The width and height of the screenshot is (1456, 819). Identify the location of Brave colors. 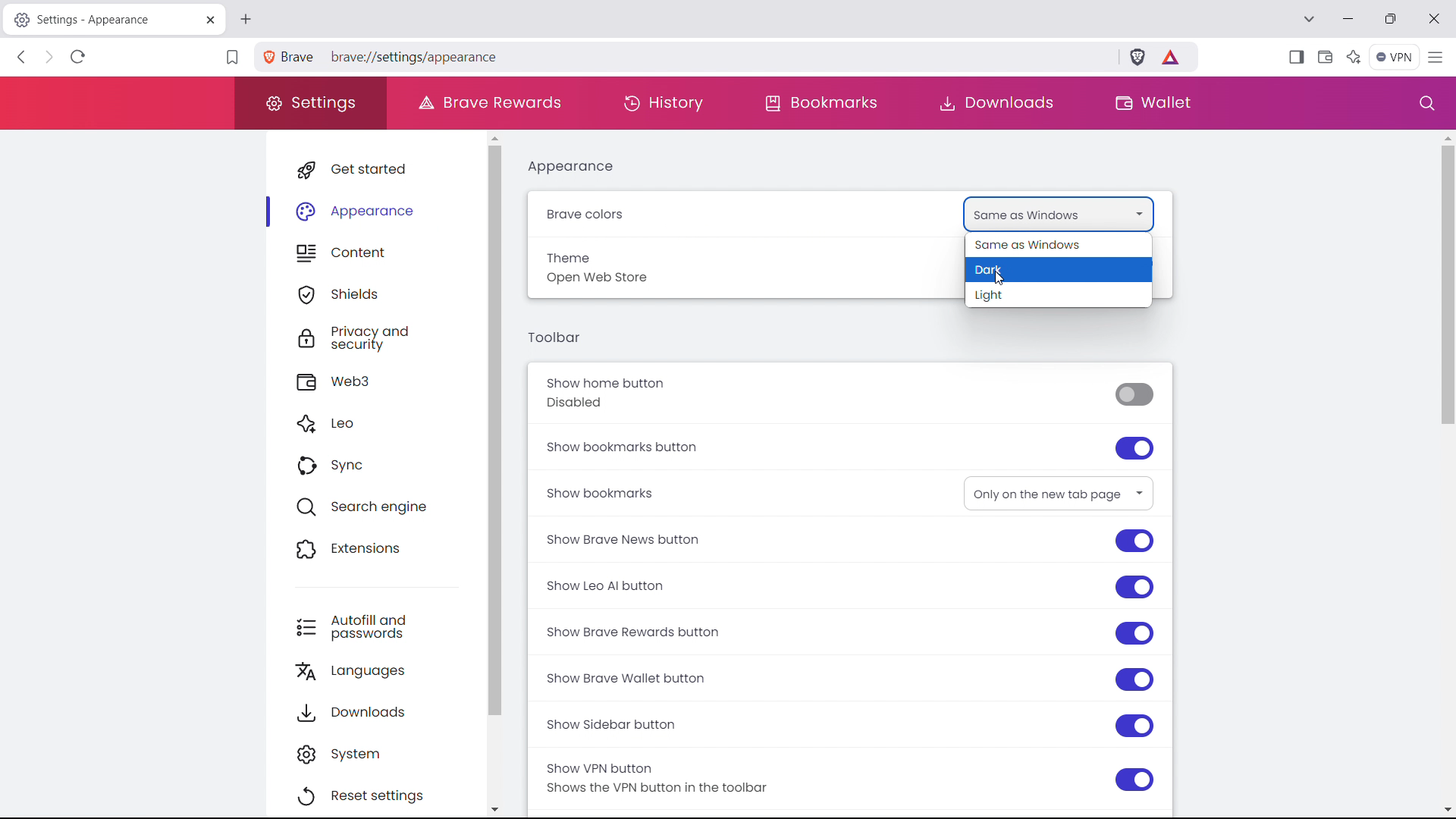
(632, 218).